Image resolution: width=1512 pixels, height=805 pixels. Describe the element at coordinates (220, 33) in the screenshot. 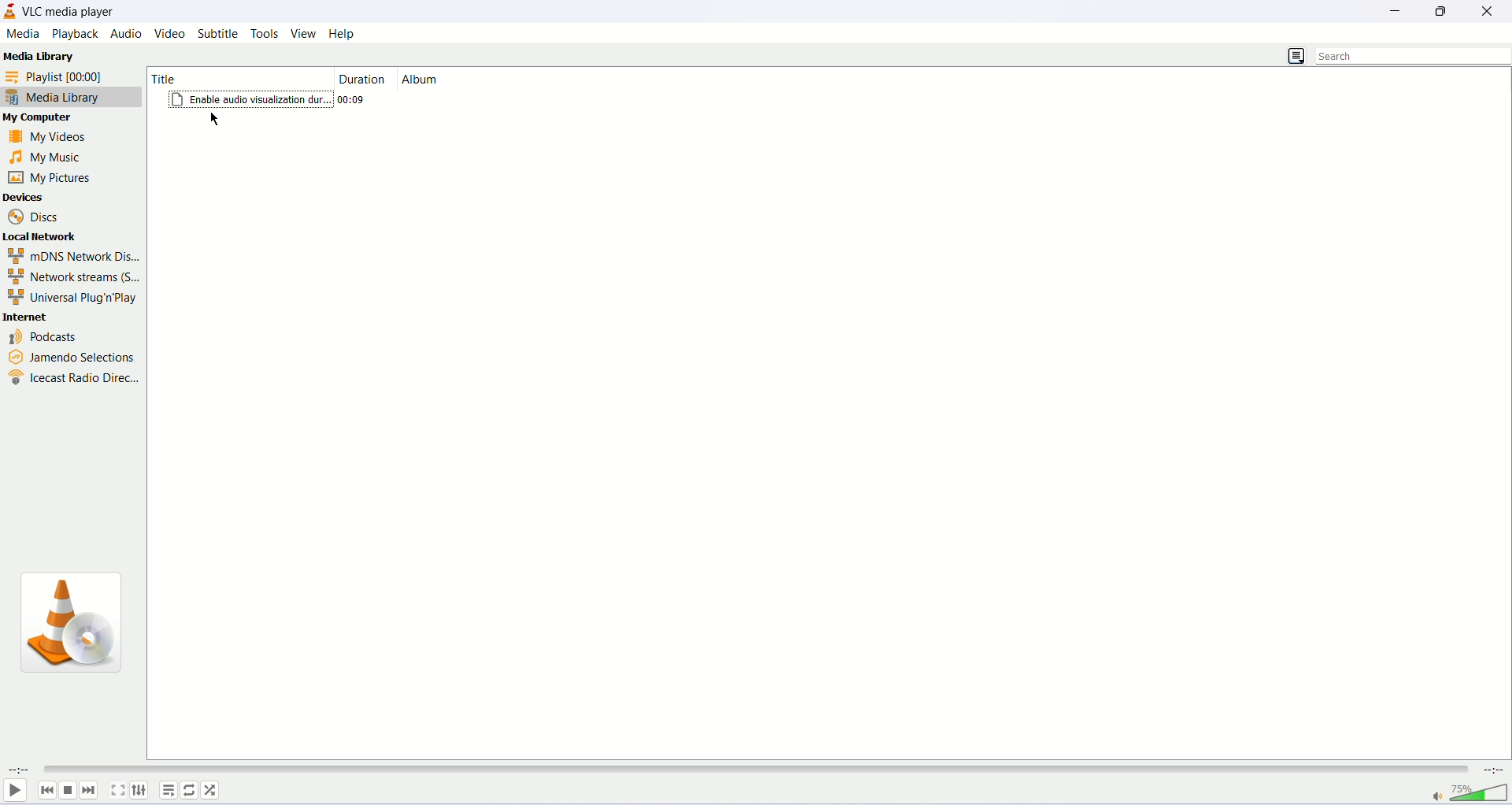

I see `subtitle` at that location.